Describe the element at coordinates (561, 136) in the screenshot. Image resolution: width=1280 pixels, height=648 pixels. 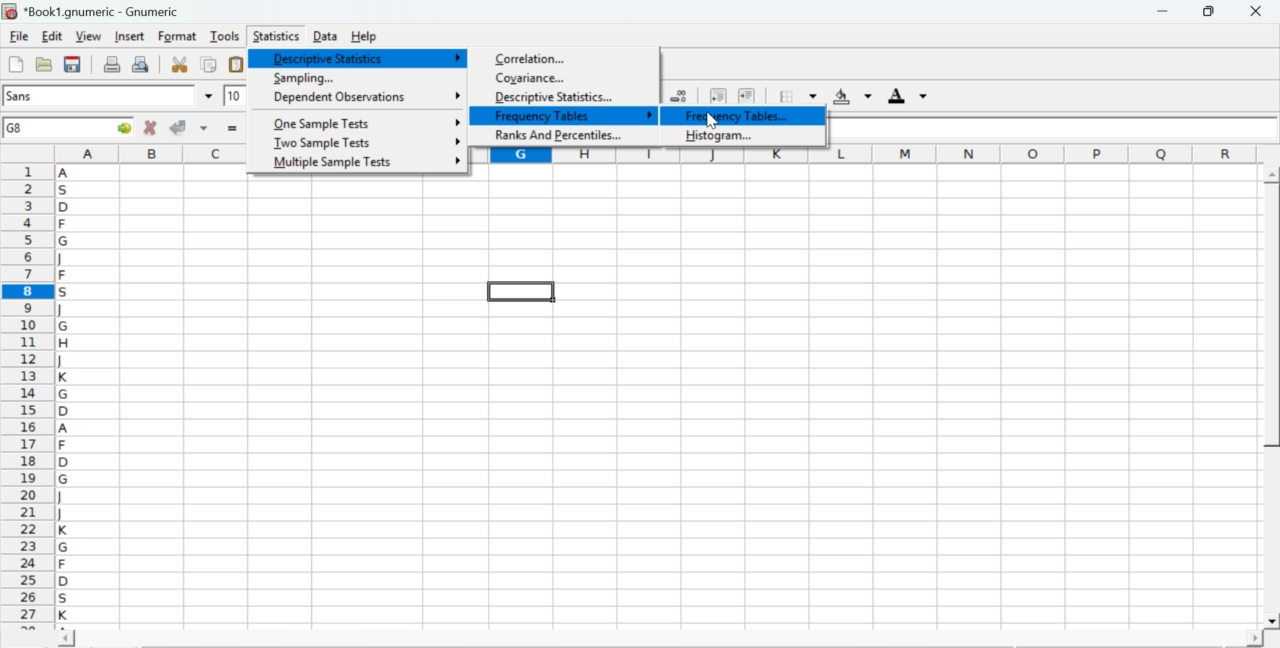
I see `ranks and percentiles...` at that location.